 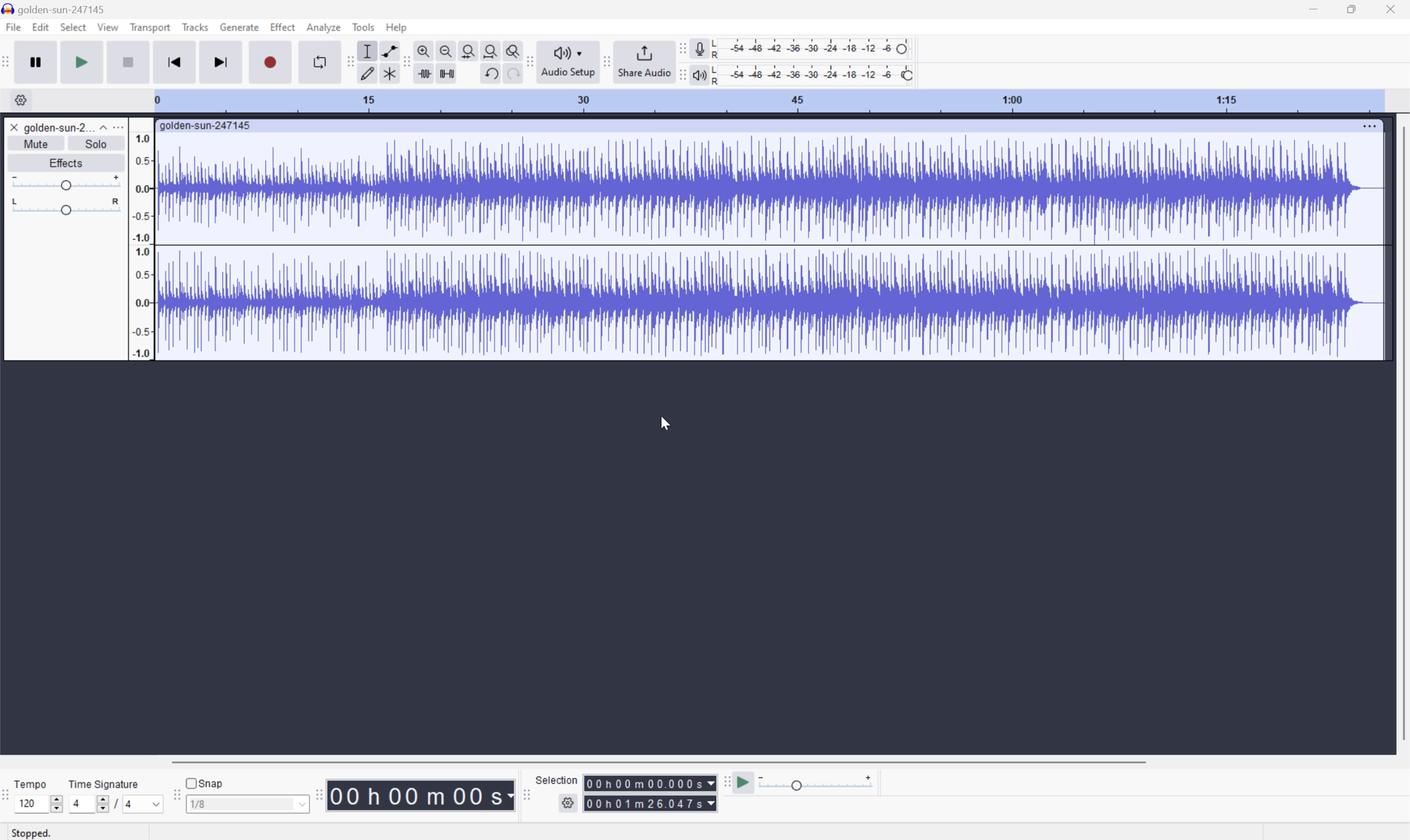 What do you see at coordinates (1401, 432) in the screenshot?
I see `Scroll Bar` at bounding box center [1401, 432].